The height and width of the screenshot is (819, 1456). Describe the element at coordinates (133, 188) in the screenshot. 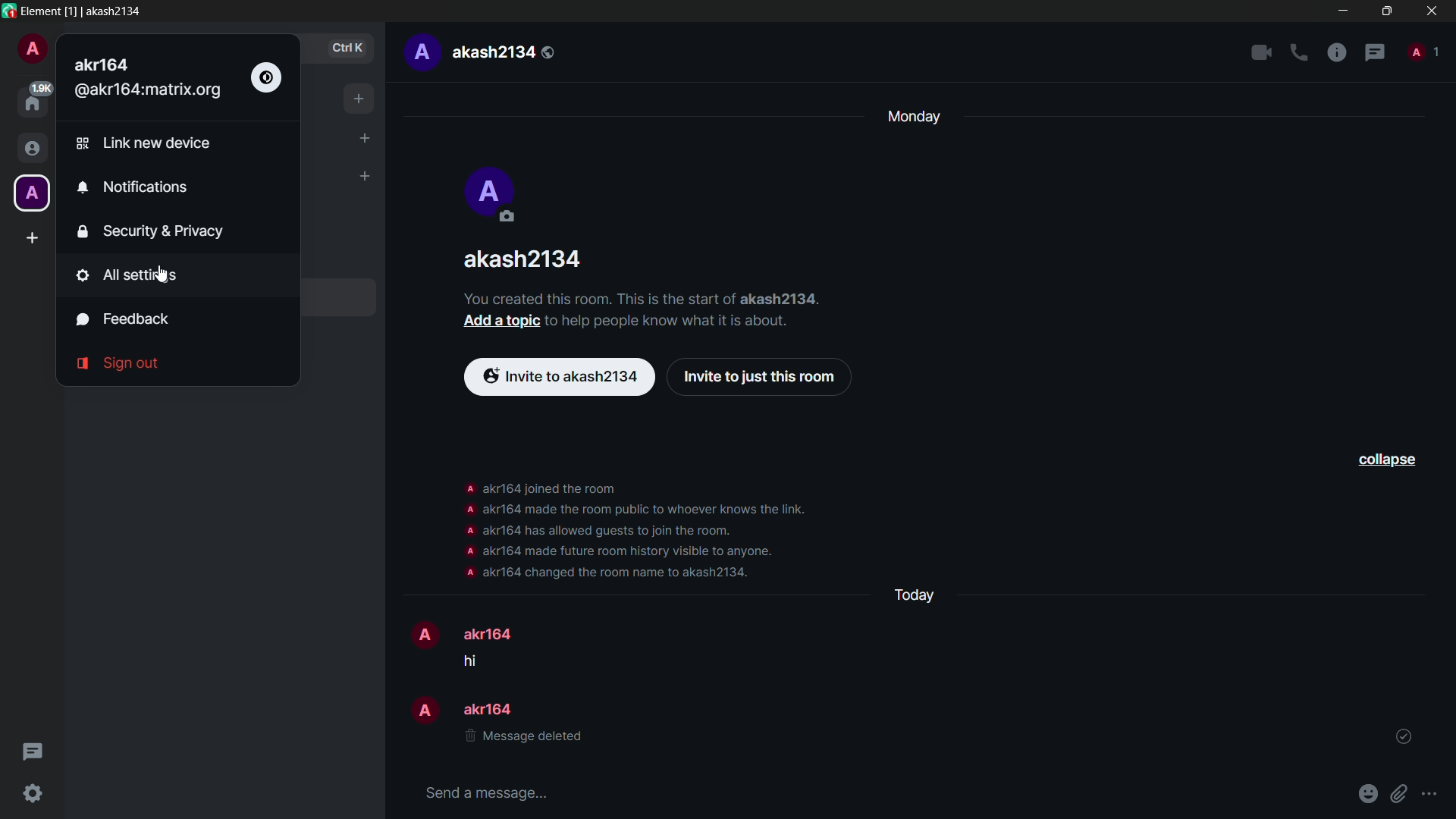

I see `notifications` at that location.